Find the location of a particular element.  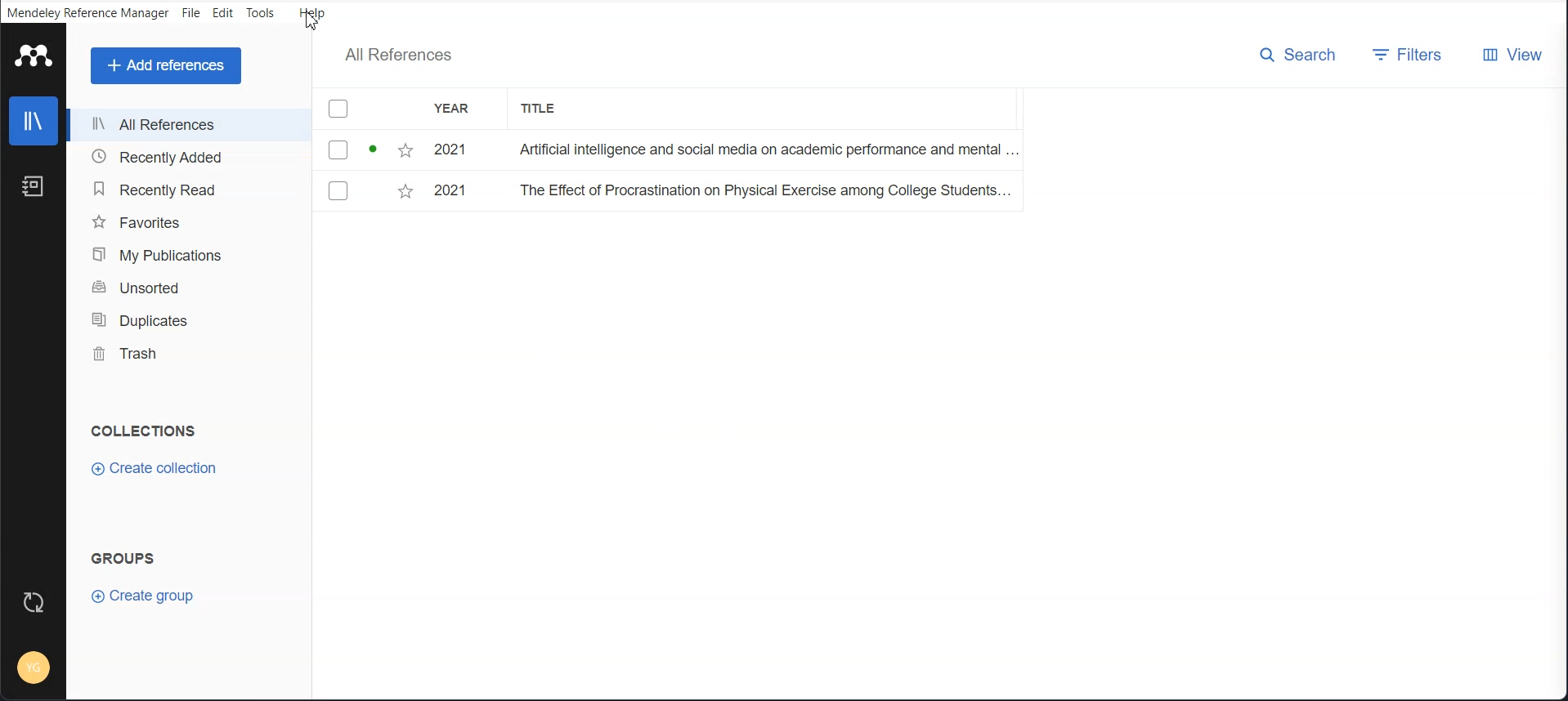

Title is located at coordinates (541, 108).